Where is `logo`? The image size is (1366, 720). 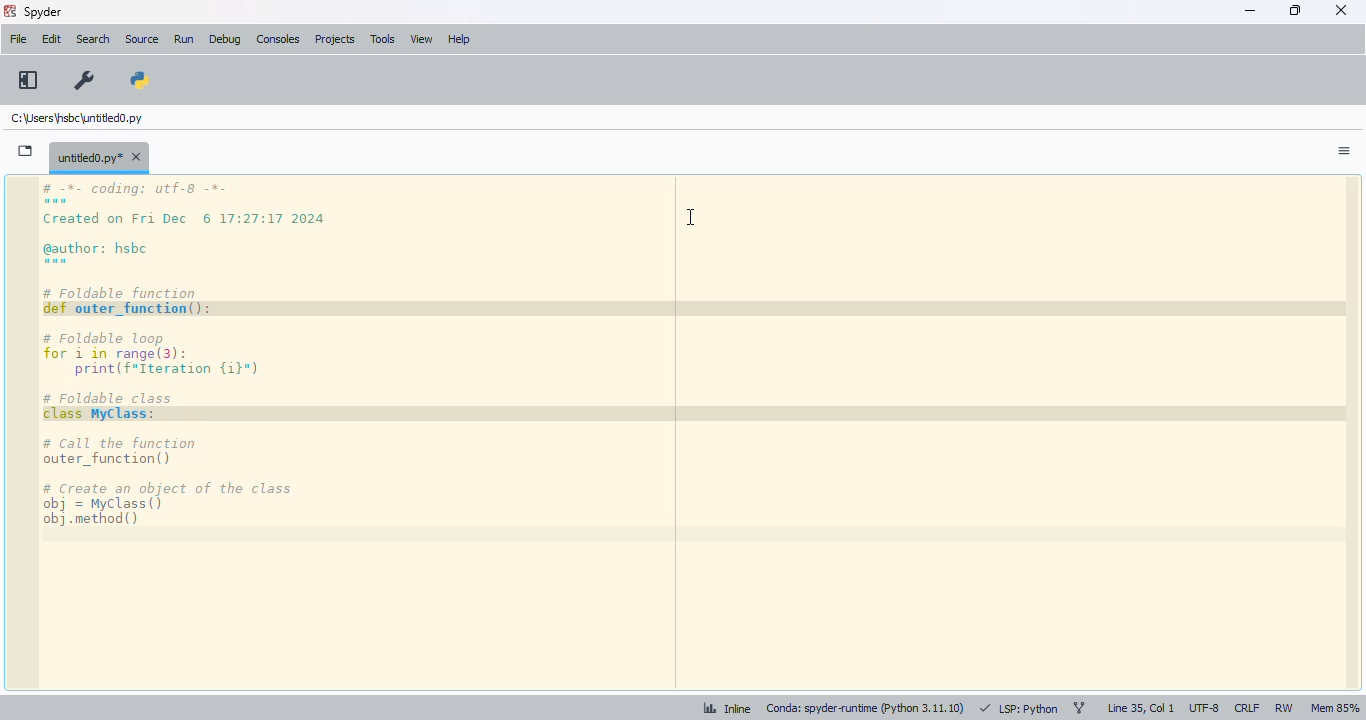 logo is located at coordinates (9, 11).